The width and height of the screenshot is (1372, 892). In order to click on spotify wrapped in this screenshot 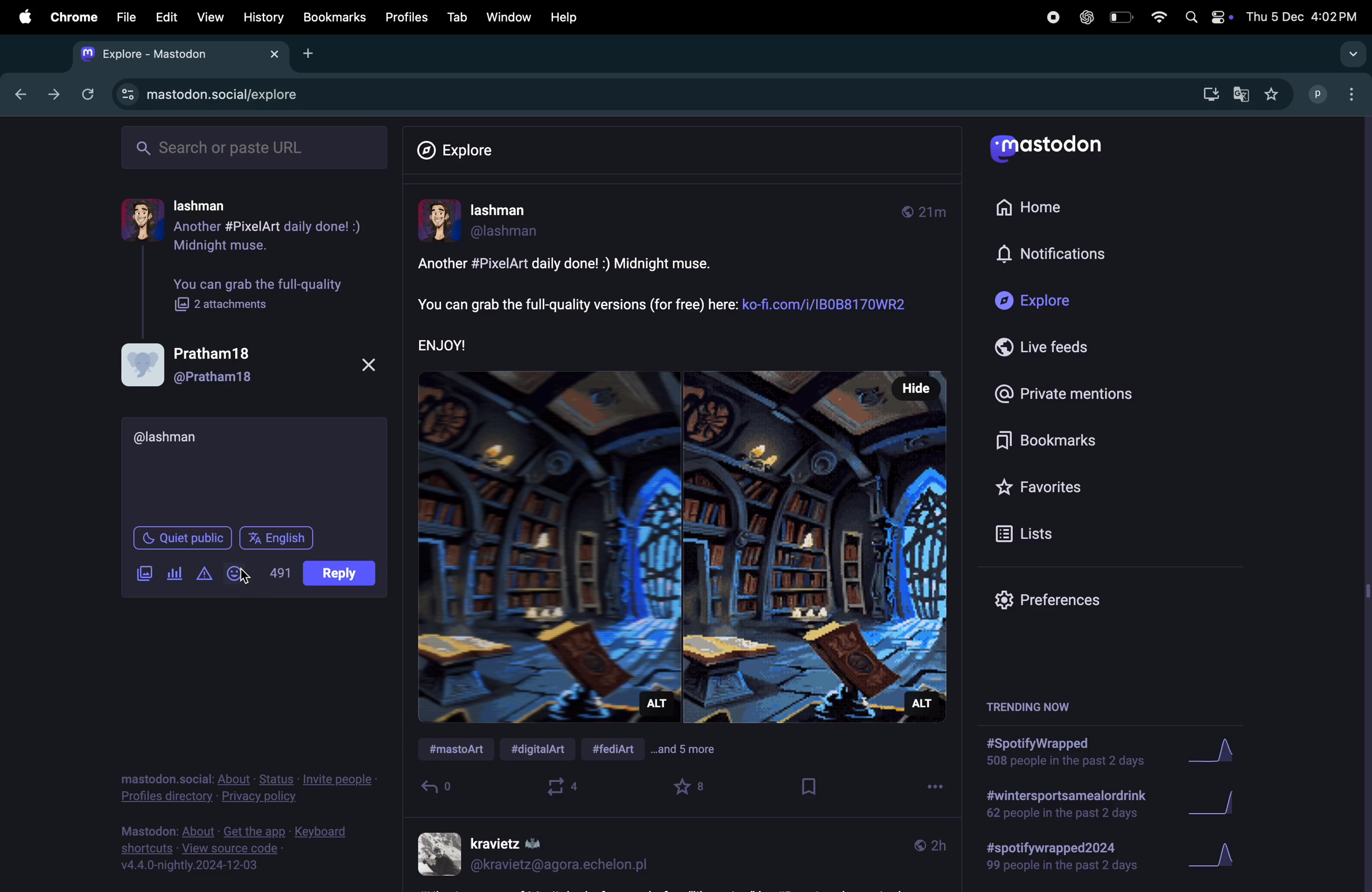, I will do `click(1069, 861)`.